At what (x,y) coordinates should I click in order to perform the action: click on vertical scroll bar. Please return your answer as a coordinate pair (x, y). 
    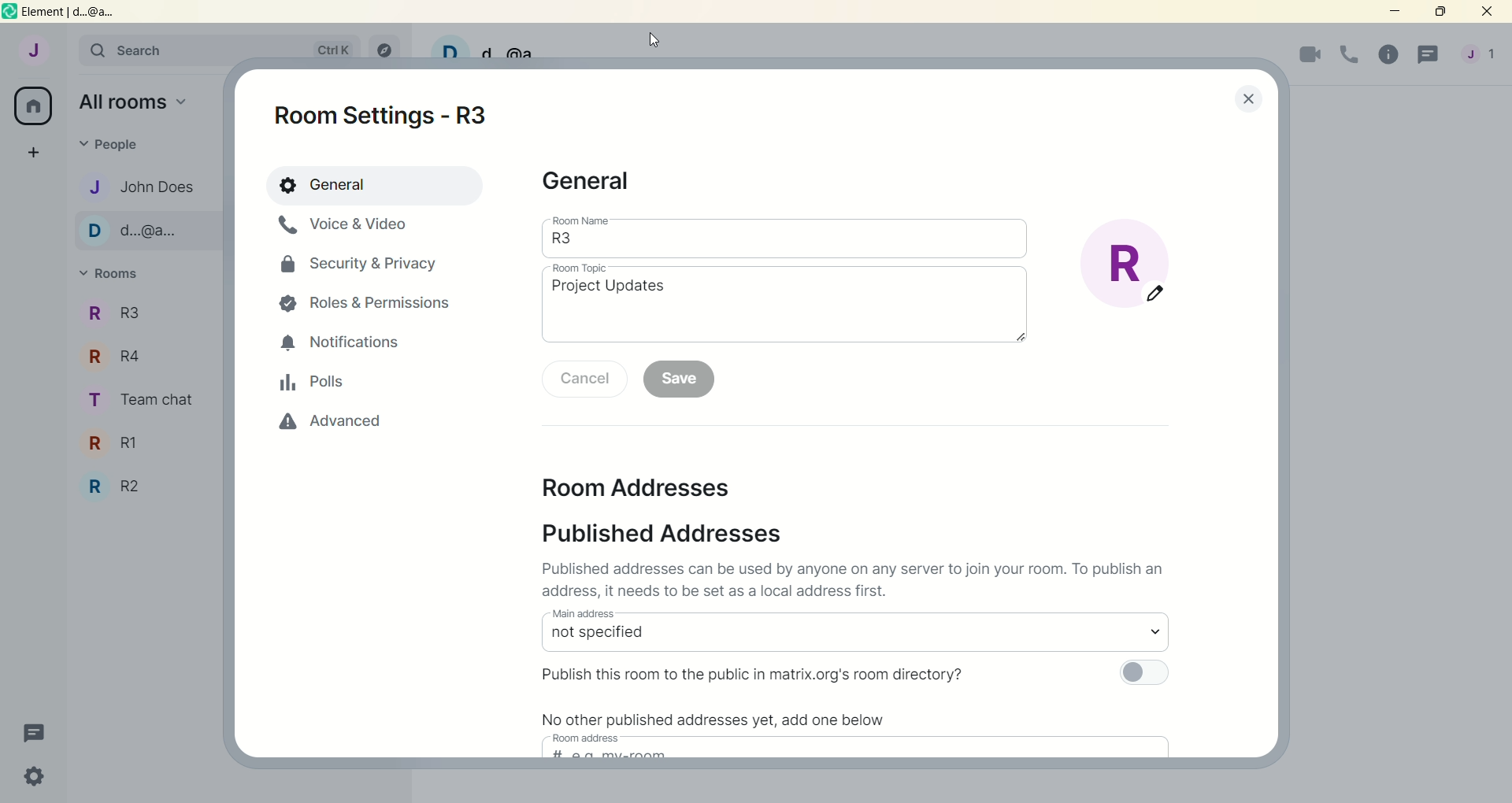
    Looking at the image, I should click on (1269, 292).